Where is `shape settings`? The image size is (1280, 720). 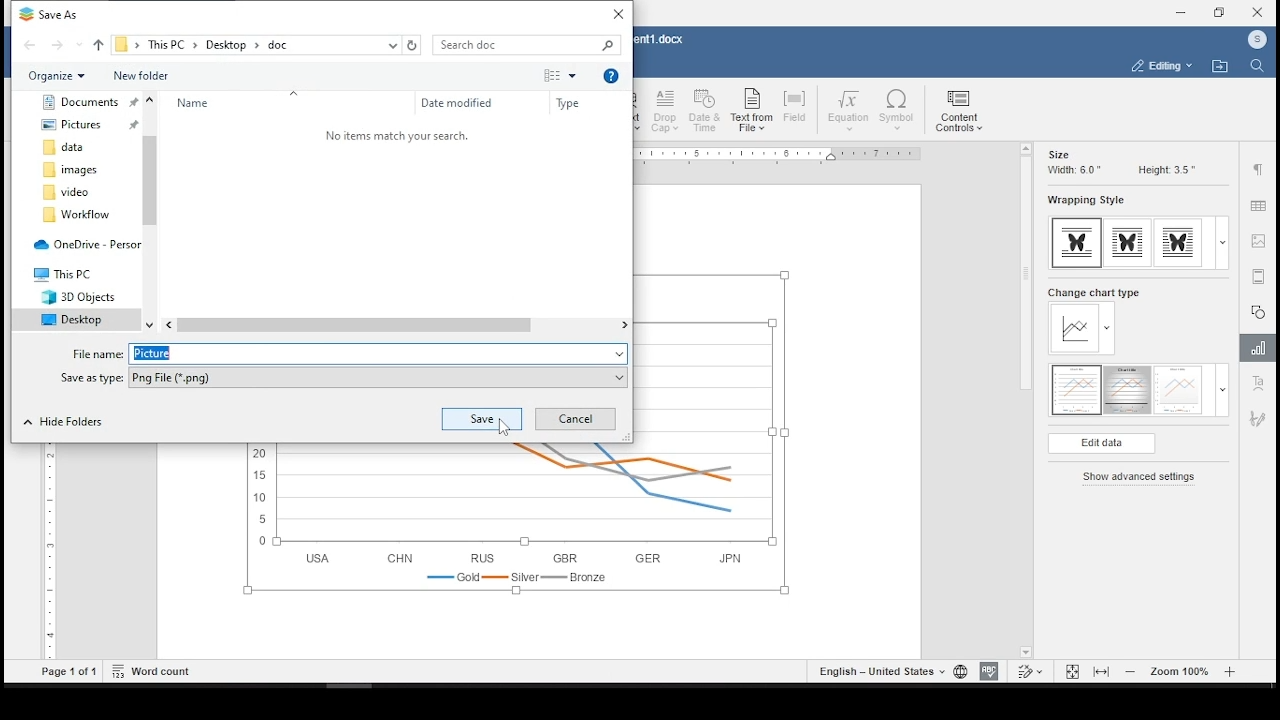
shape settings is located at coordinates (1259, 311).